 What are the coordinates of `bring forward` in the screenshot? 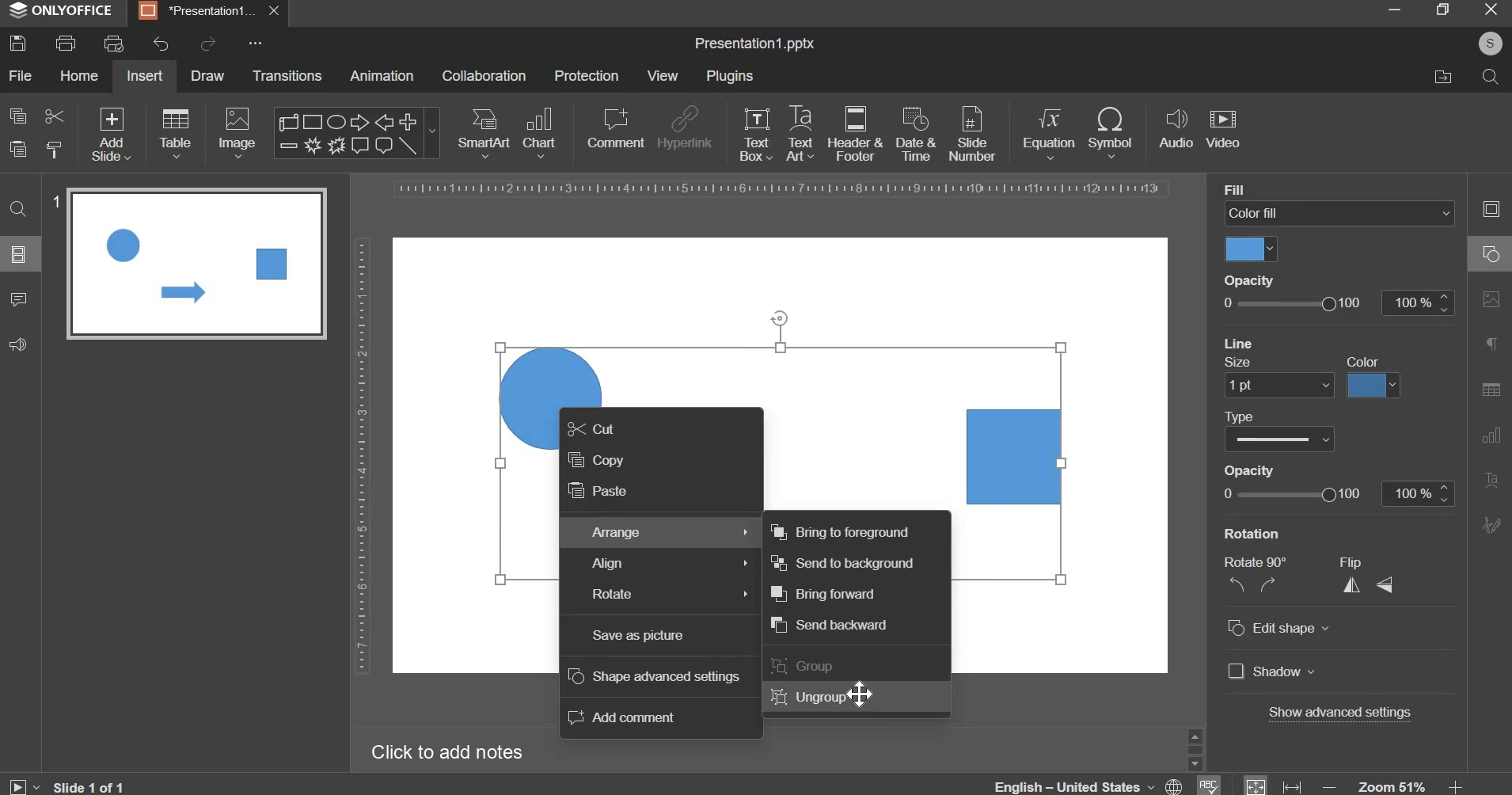 It's located at (823, 593).